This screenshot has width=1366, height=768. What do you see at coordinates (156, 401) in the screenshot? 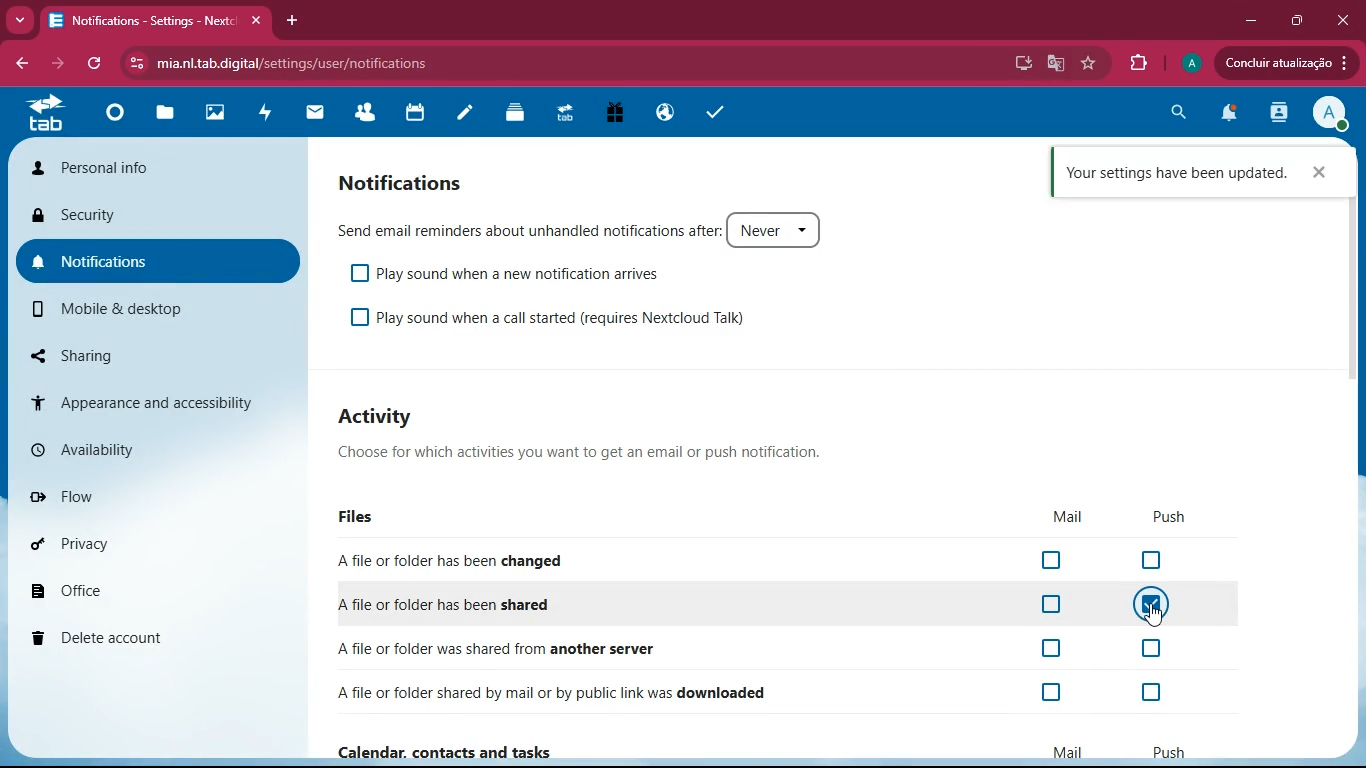
I see `appearance` at bounding box center [156, 401].